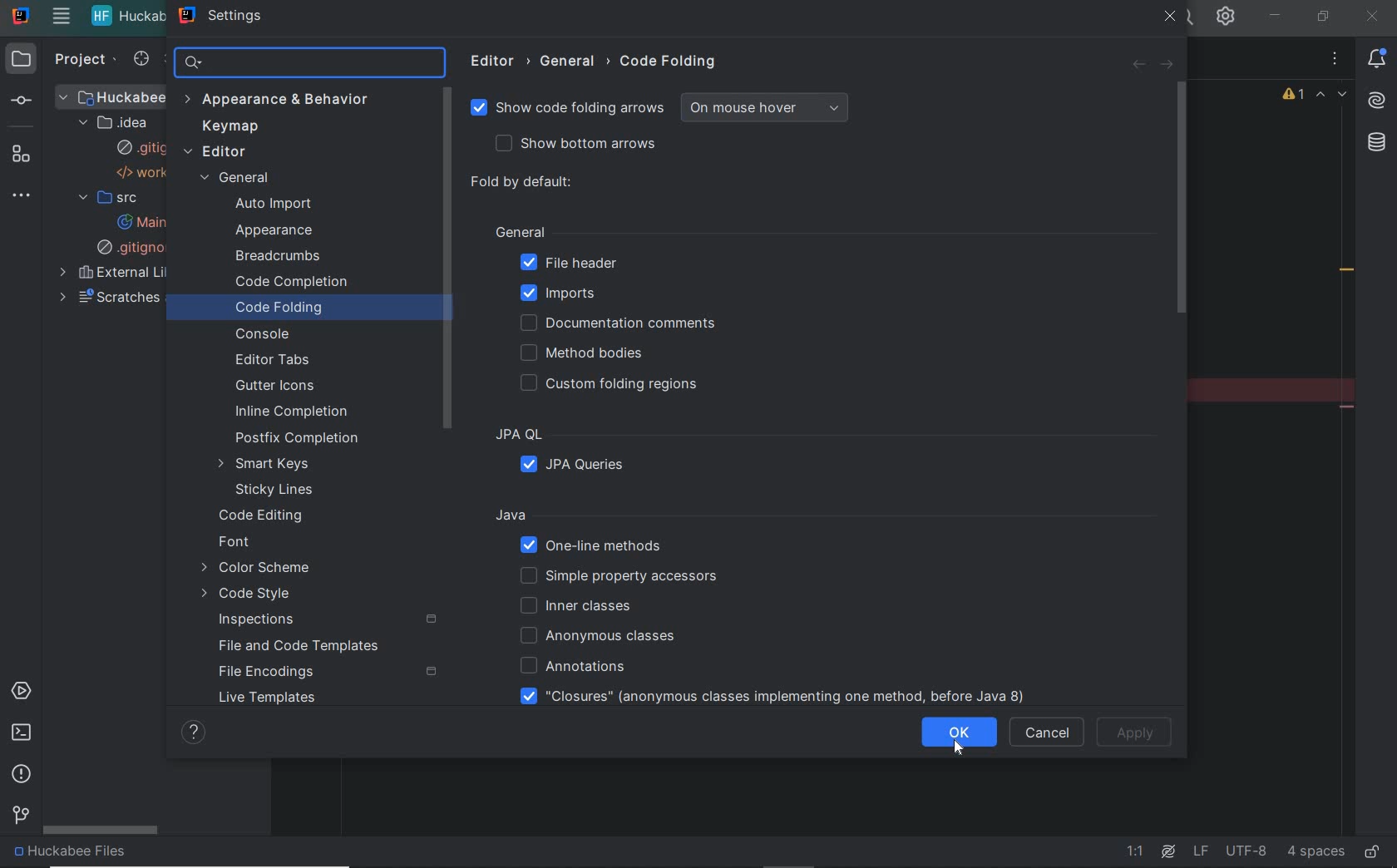 This screenshot has height=868, width=1397. Describe the element at coordinates (22, 774) in the screenshot. I see `problems` at that location.